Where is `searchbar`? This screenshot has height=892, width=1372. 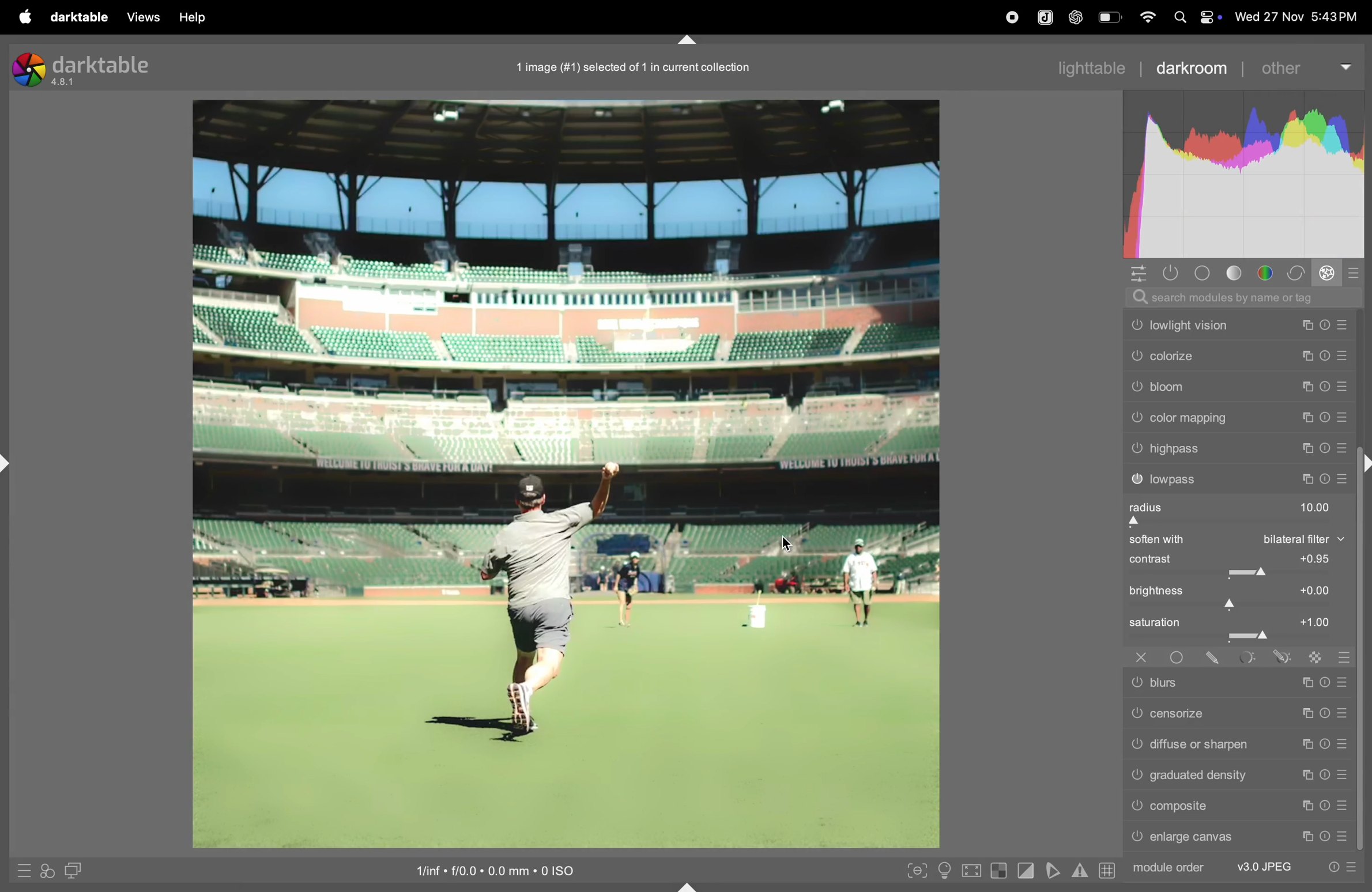
searchbar is located at coordinates (1242, 296).